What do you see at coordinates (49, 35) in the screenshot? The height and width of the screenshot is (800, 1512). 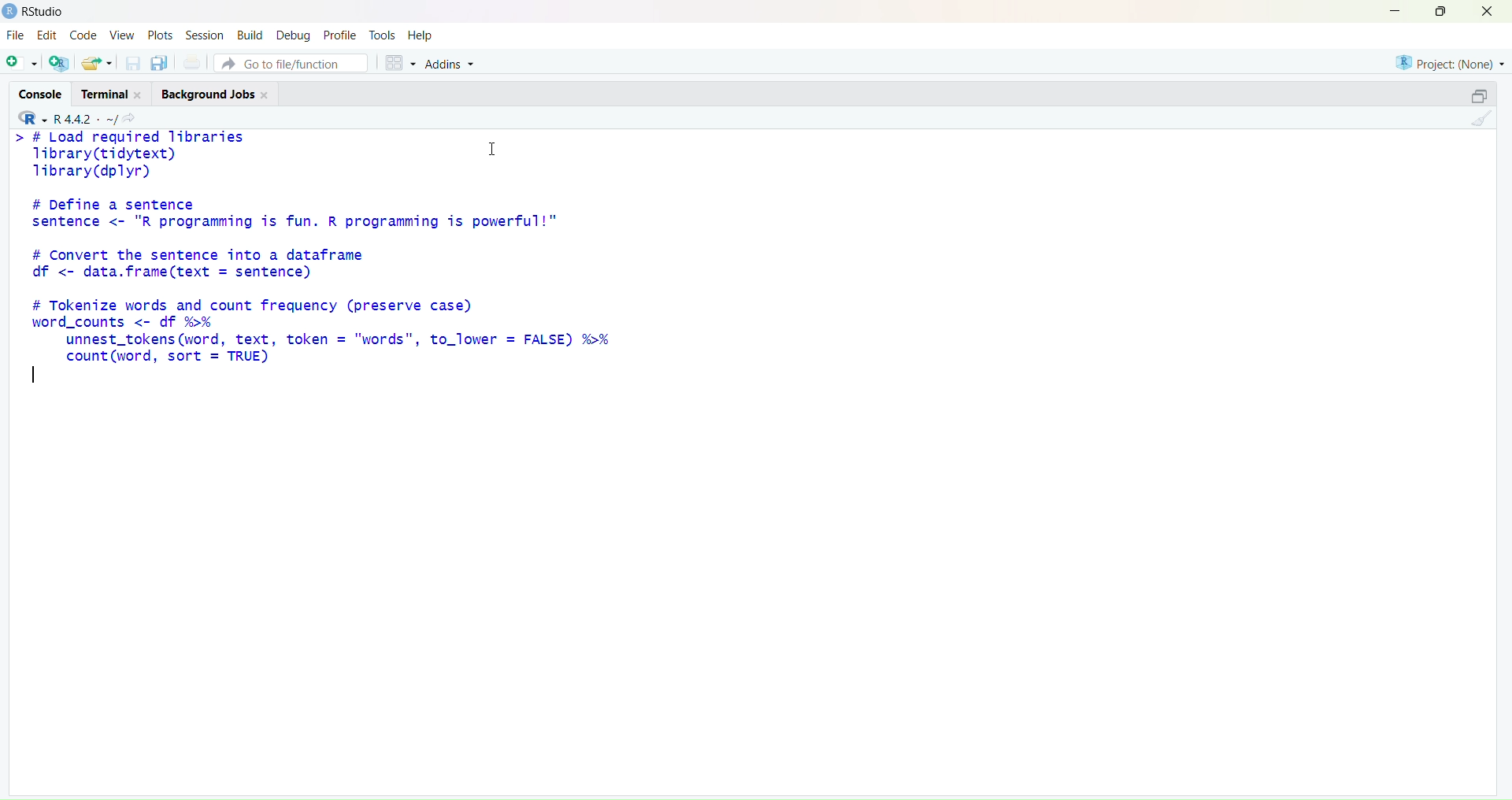 I see `Edit` at bounding box center [49, 35].